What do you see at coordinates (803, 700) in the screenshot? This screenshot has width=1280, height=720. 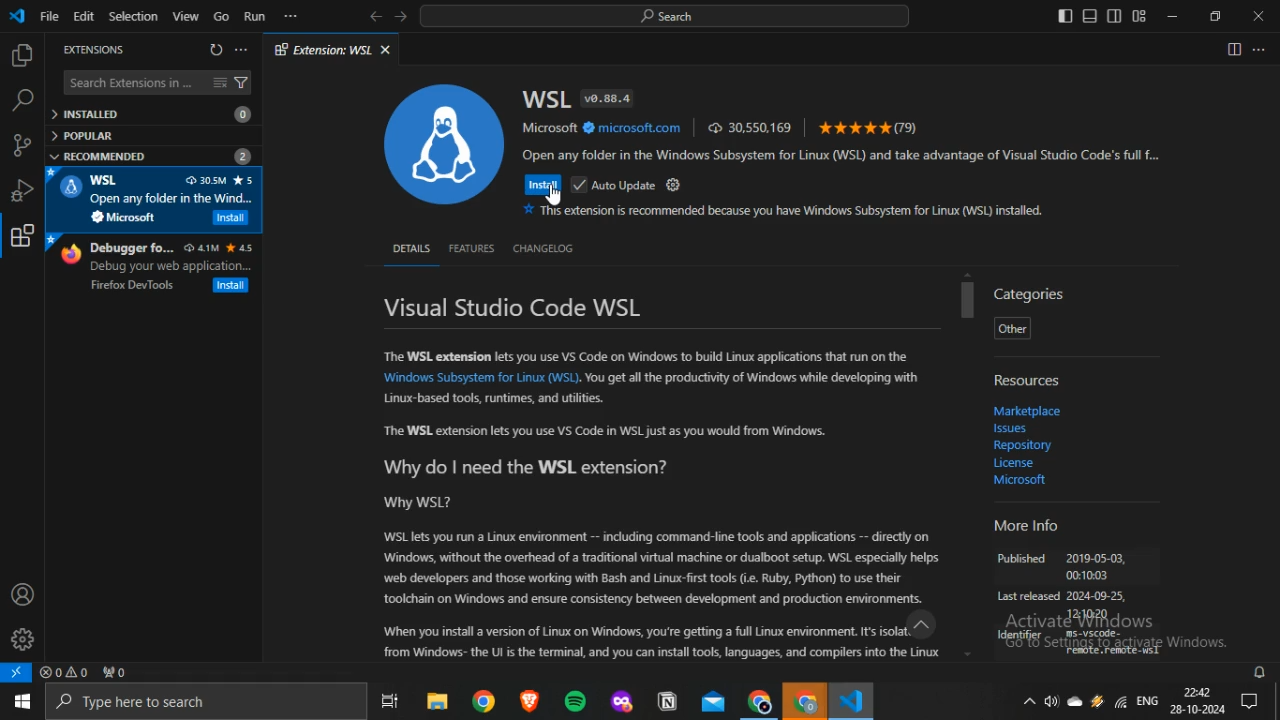 I see `Google Chrome` at bounding box center [803, 700].